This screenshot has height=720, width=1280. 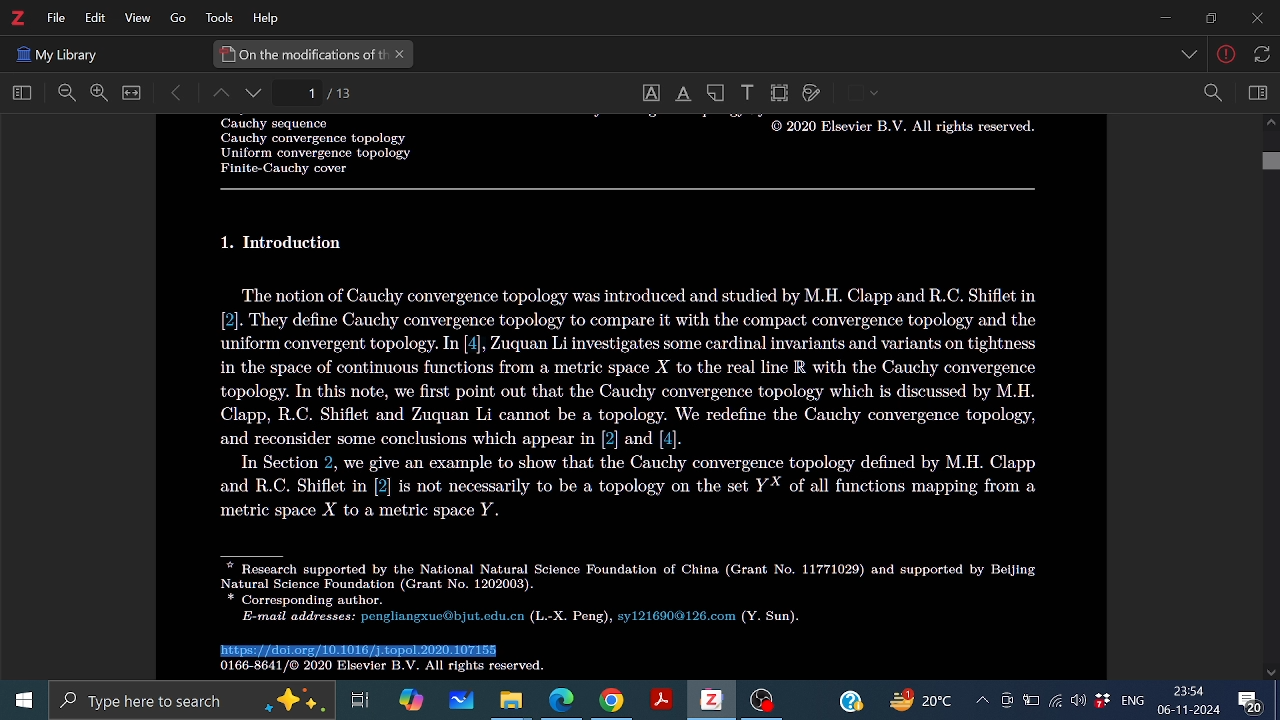 What do you see at coordinates (660, 701) in the screenshot?
I see `Adobe reader` at bounding box center [660, 701].